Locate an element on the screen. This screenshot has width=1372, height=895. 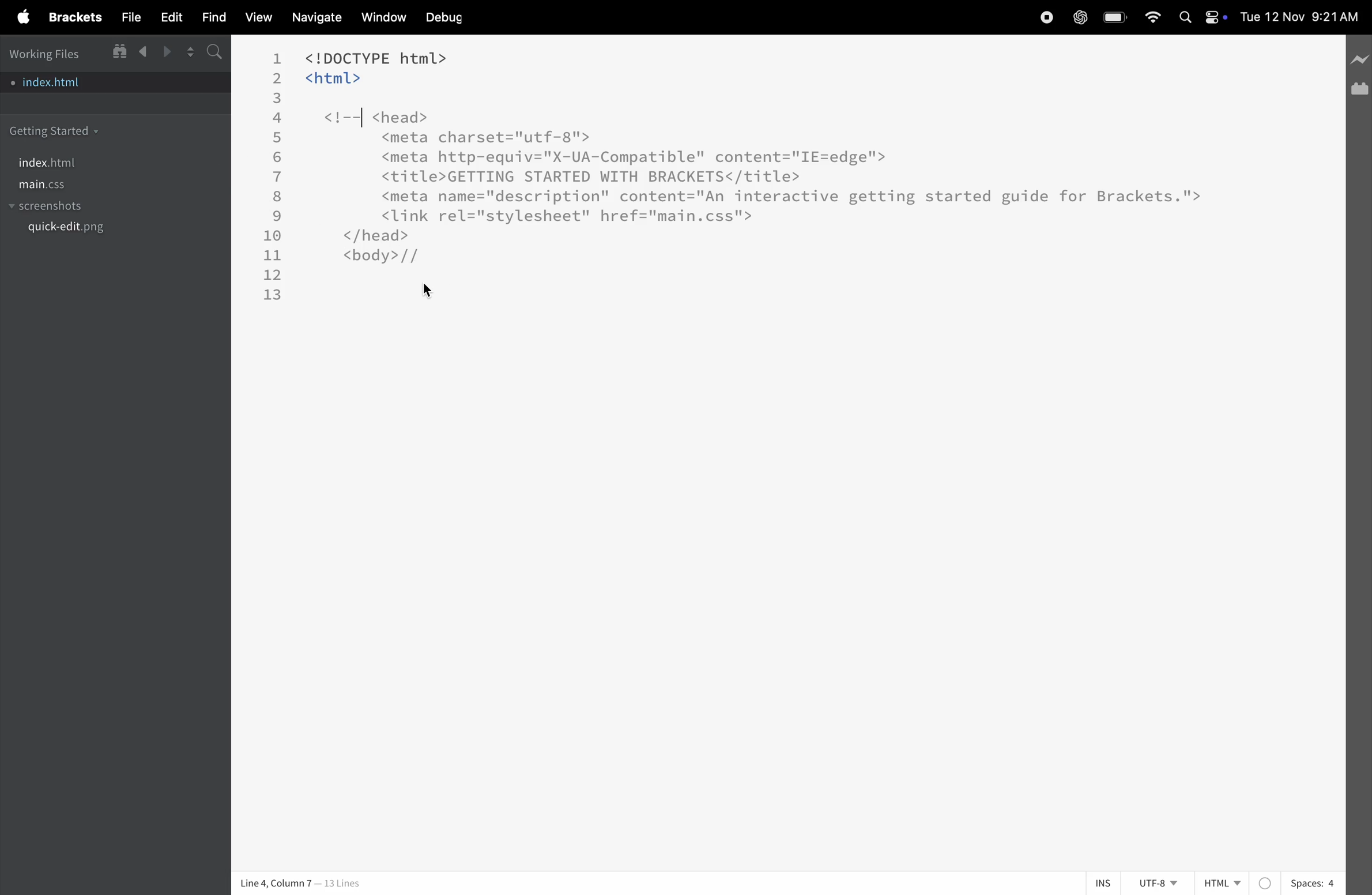
main.css is located at coordinates (74, 184).